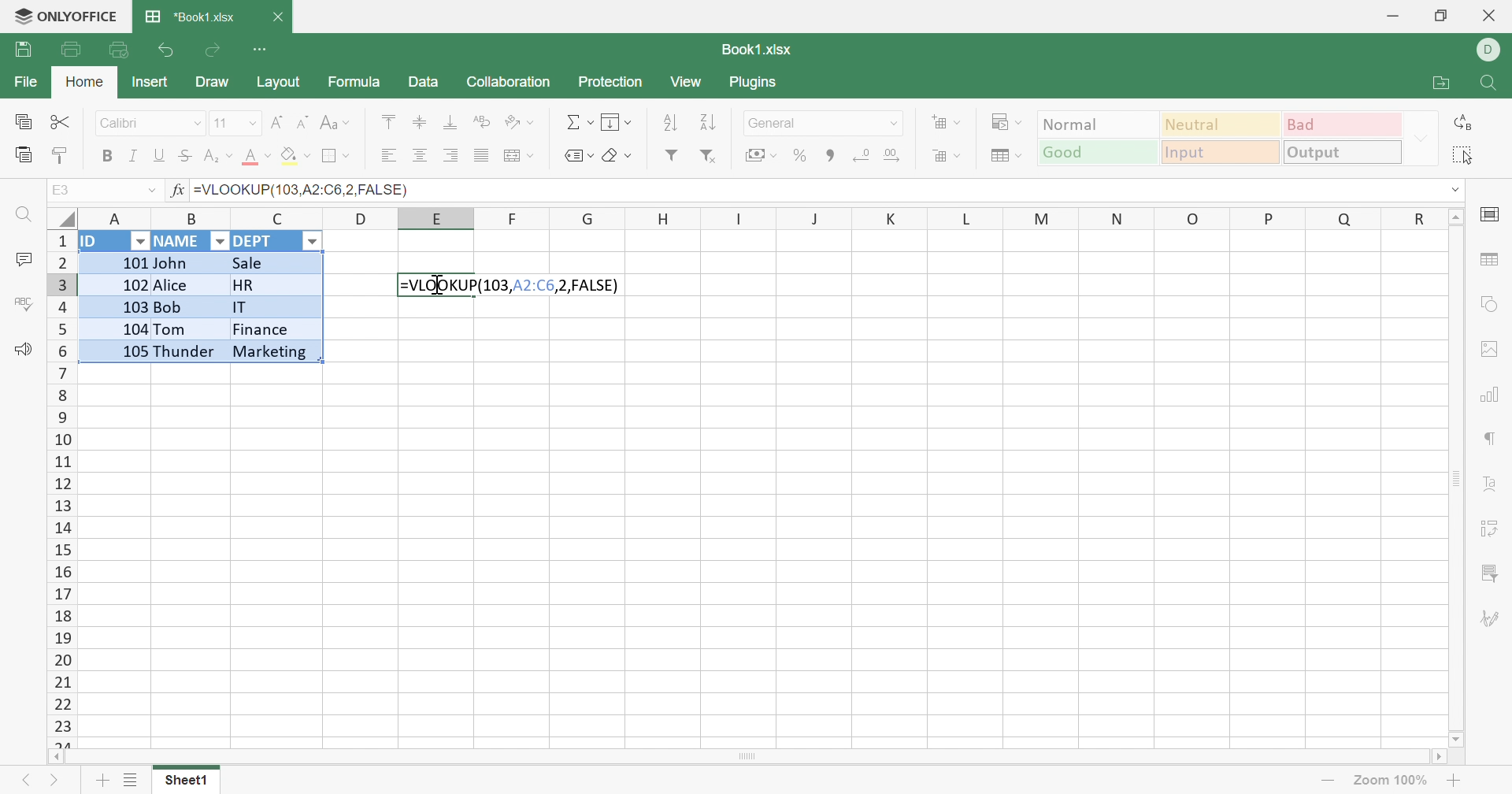 The width and height of the screenshot is (1512, 794). I want to click on Select all, so click(1467, 155).